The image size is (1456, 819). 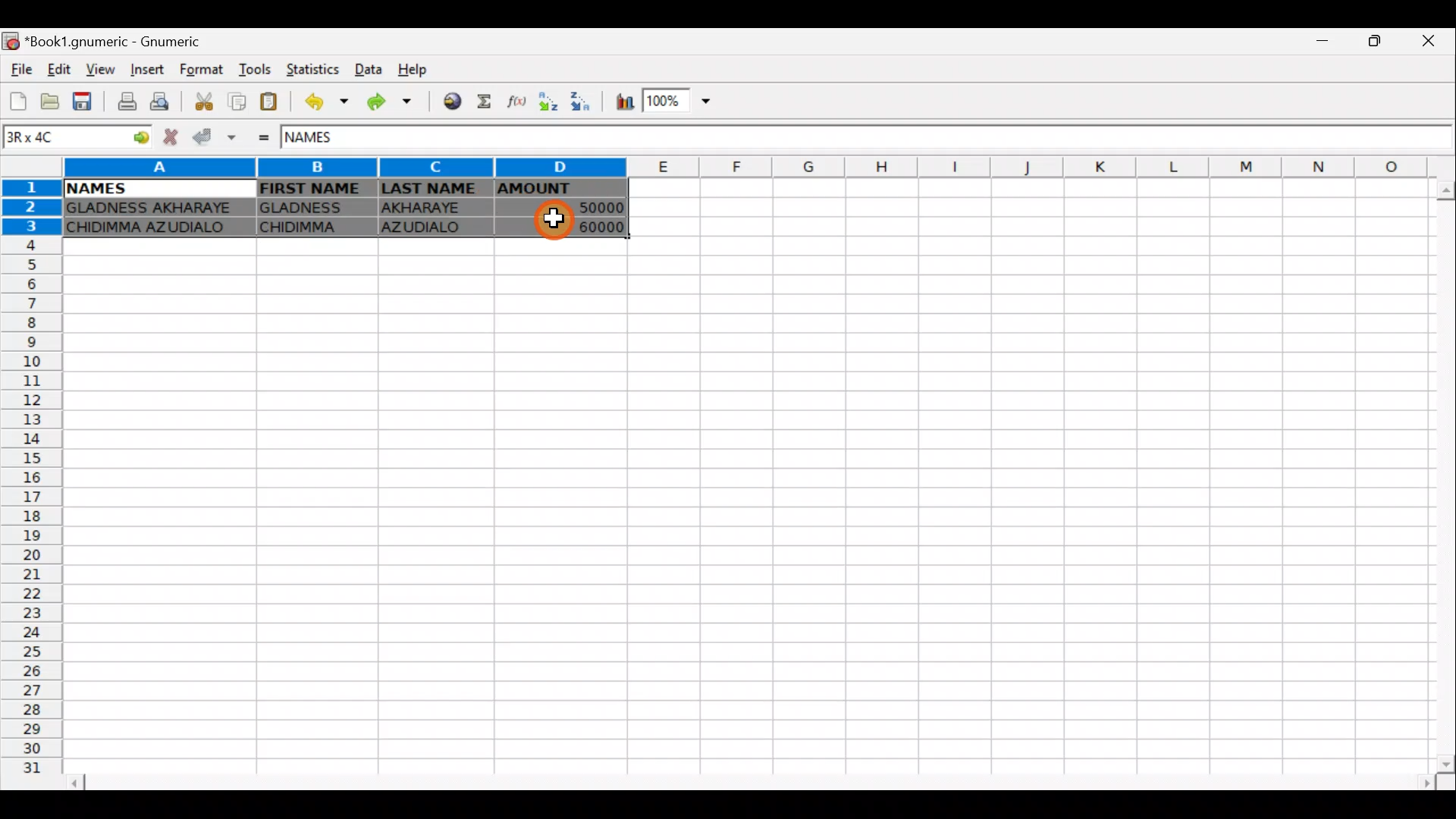 What do you see at coordinates (29, 485) in the screenshot?
I see `Rows` at bounding box center [29, 485].